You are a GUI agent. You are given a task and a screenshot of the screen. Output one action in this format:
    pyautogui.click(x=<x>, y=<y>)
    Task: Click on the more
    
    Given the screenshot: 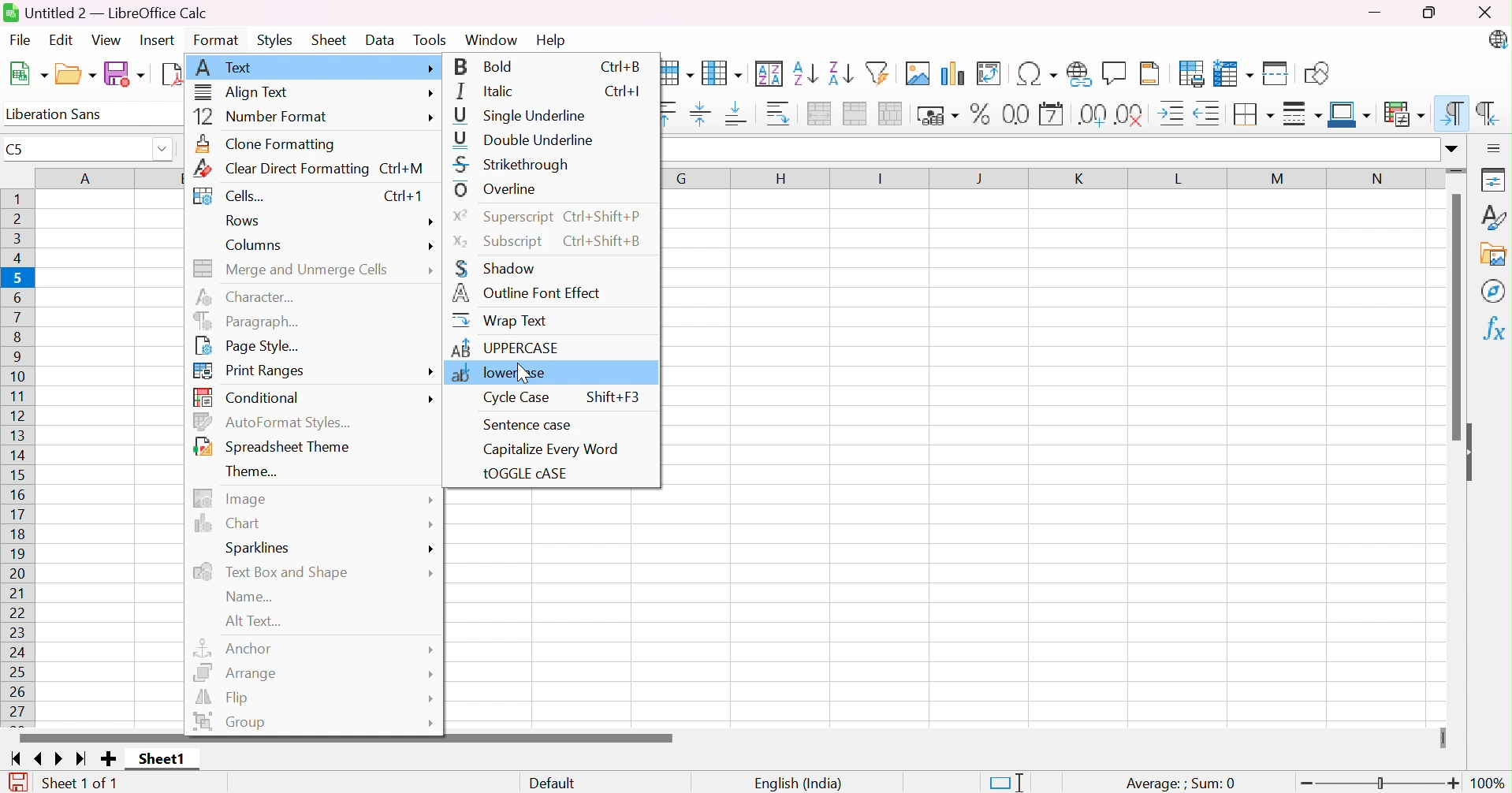 What is the action you would take?
    pyautogui.click(x=431, y=94)
    